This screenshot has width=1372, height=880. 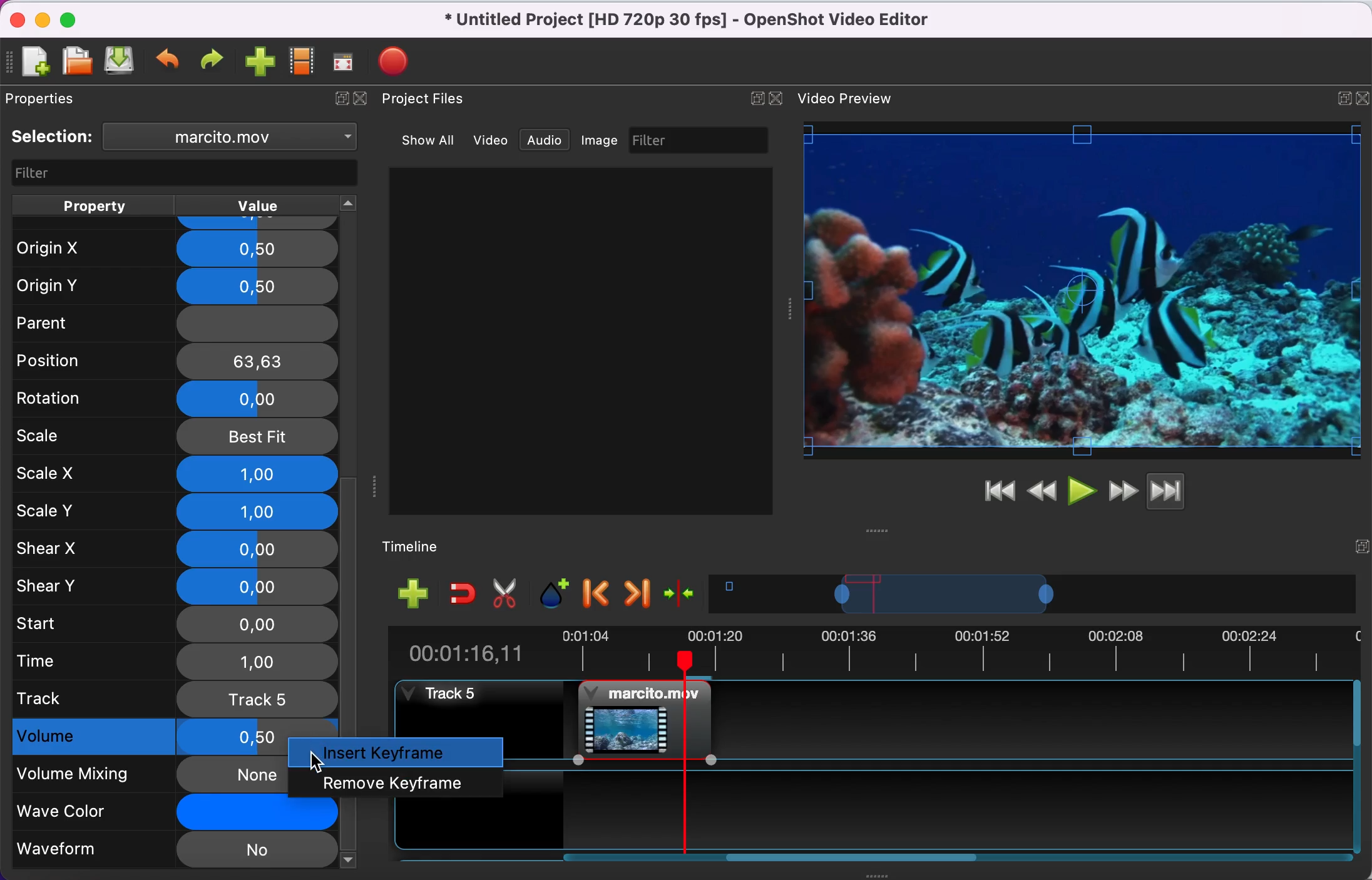 I want to click on title - Untitled Project (HD 720p 30 fps)-OpenShot Video Editor, so click(x=707, y=22).